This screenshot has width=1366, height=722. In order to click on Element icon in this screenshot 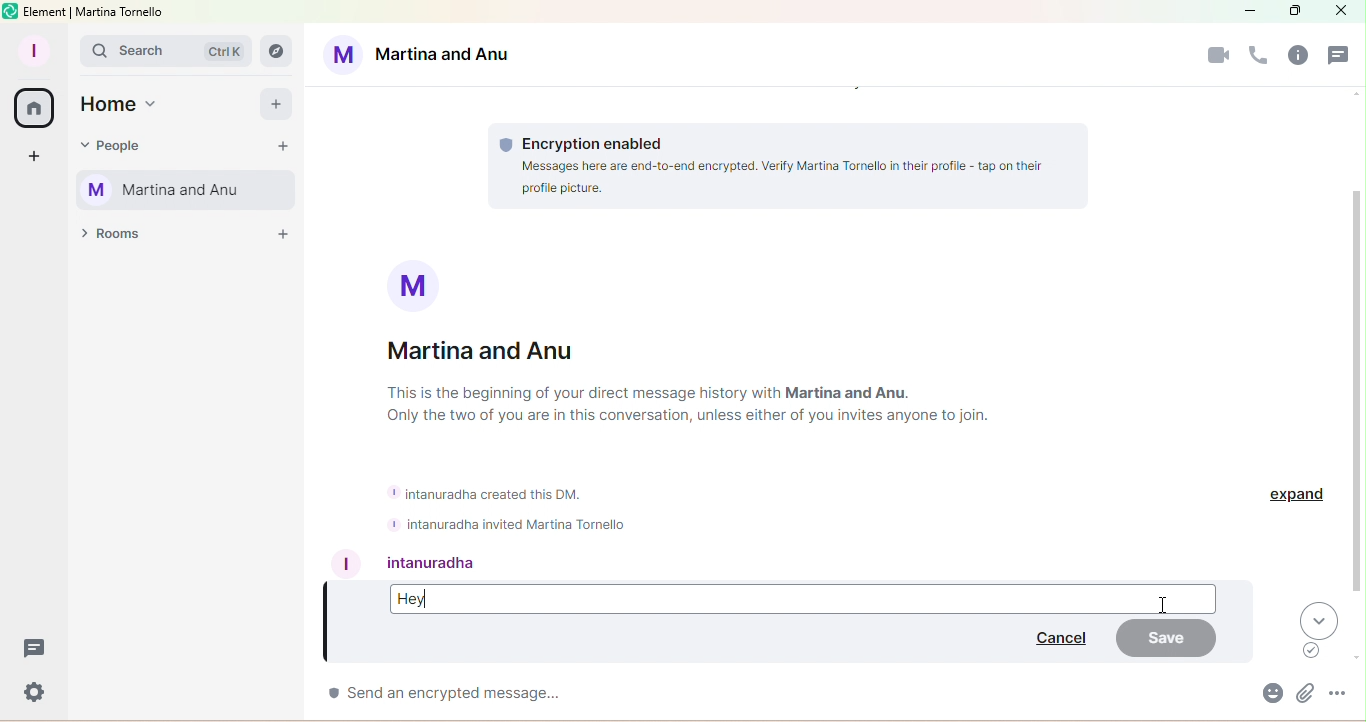, I will do `click(9, 10)`.